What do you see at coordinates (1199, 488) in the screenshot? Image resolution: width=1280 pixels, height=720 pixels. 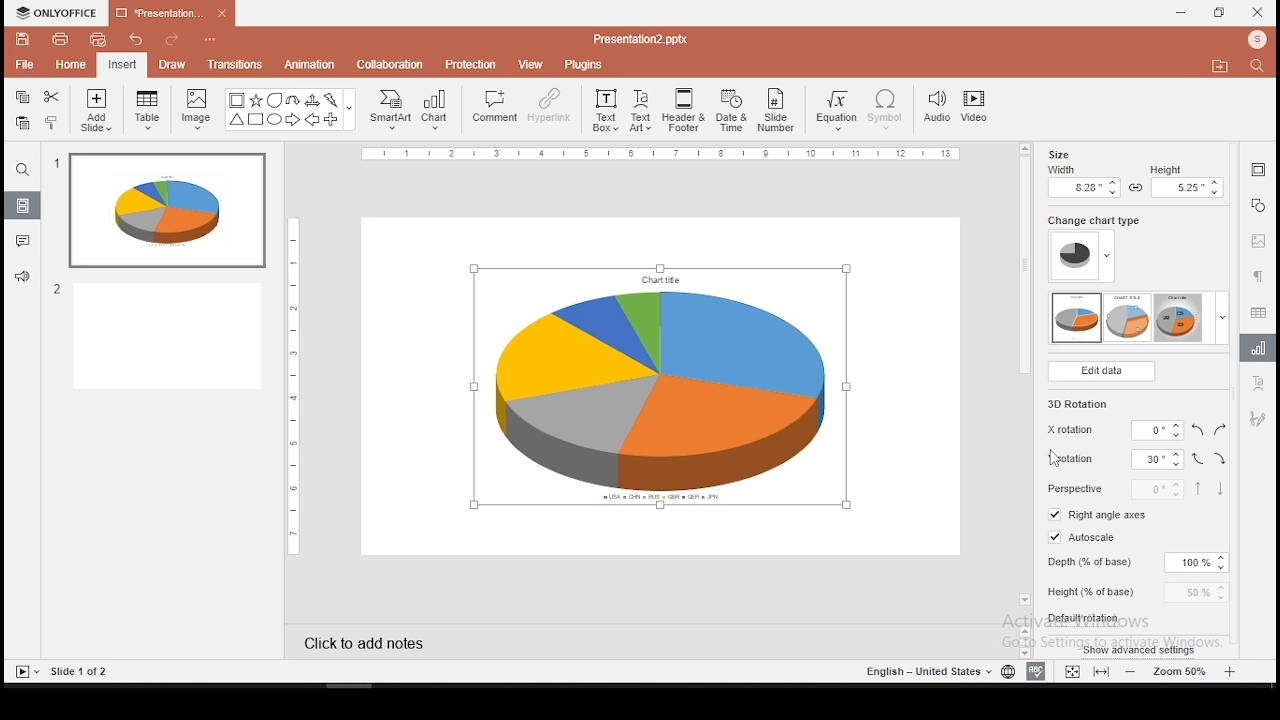 I see `up` at bounding box center [1199, 488].